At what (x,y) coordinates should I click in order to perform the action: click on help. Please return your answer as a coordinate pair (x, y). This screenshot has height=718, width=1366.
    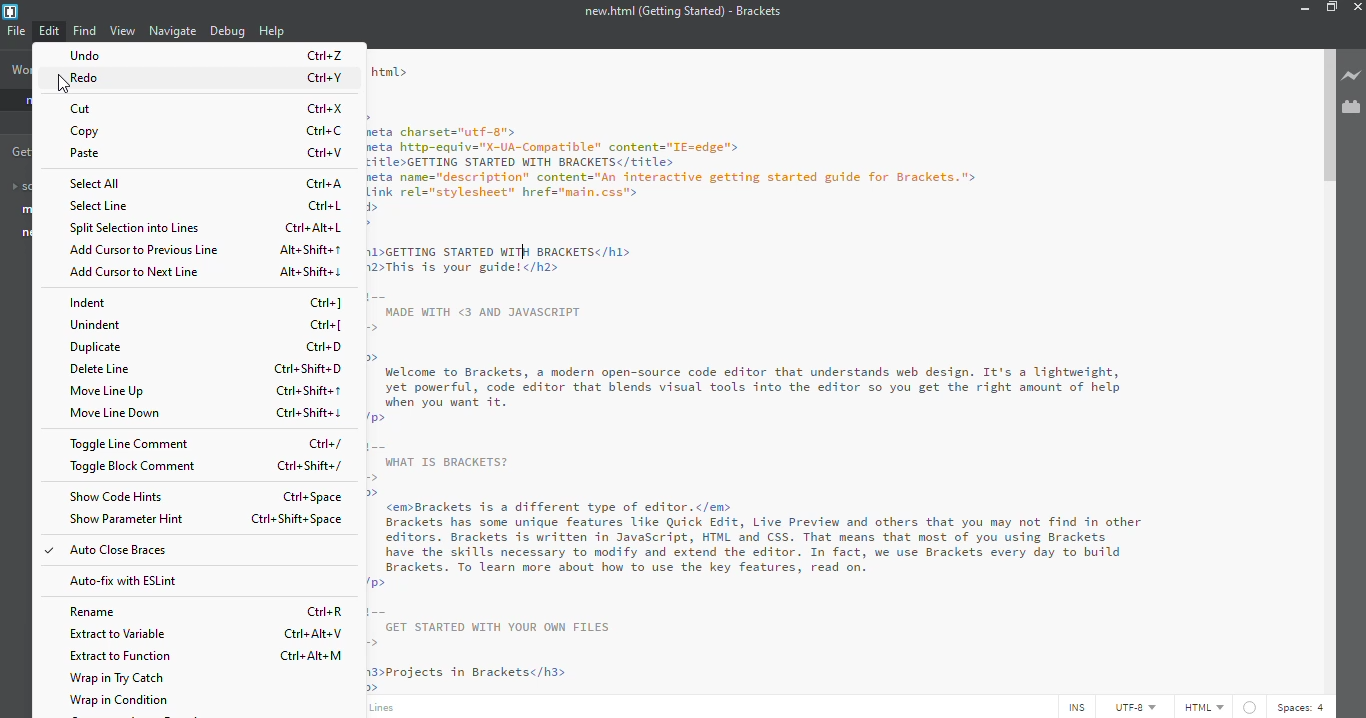
    Looking at the image, I should click on (273, 32).